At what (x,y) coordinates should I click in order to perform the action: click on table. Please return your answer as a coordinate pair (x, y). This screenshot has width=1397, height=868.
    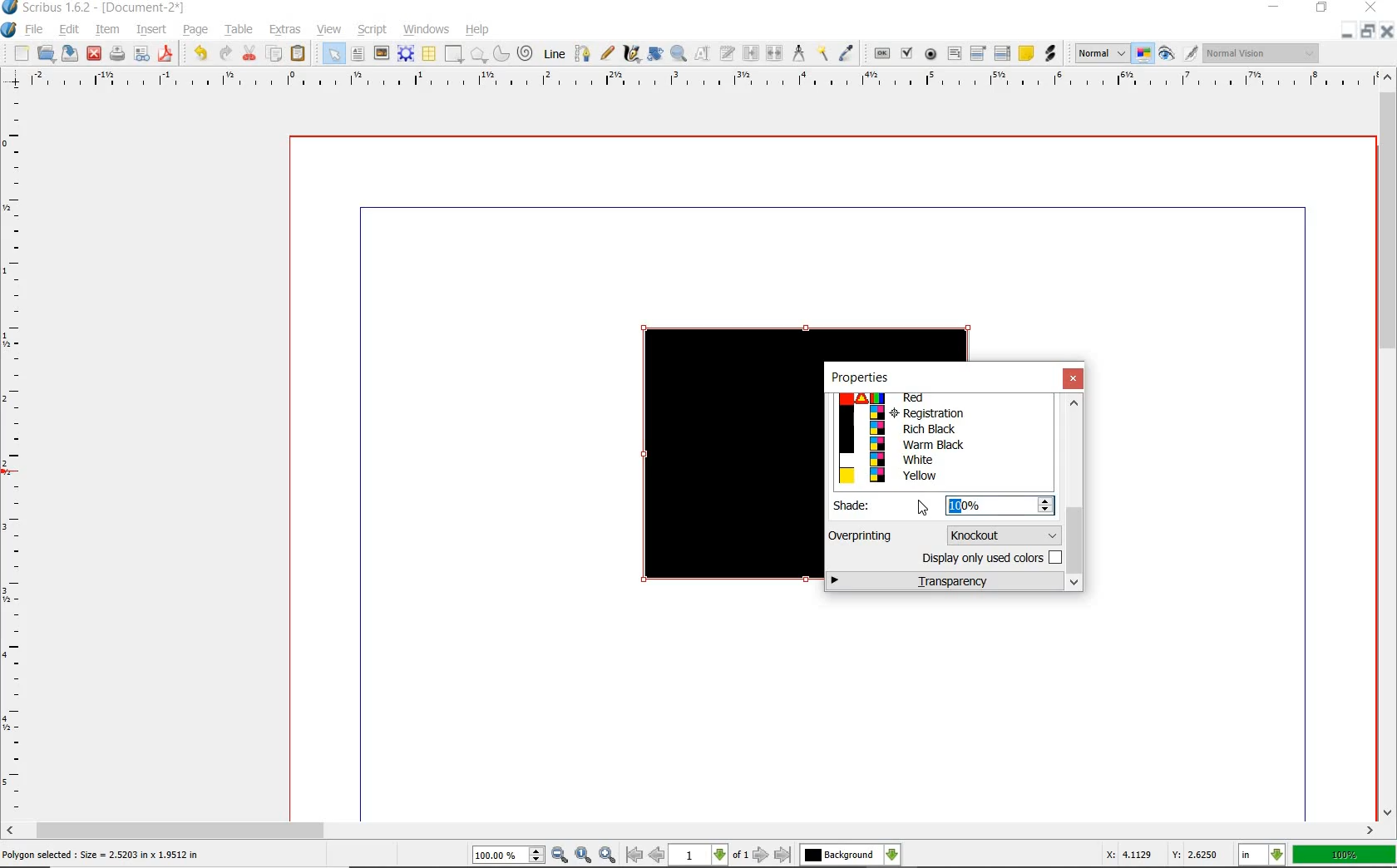
    Looking at the image, I should click on (429, 53).